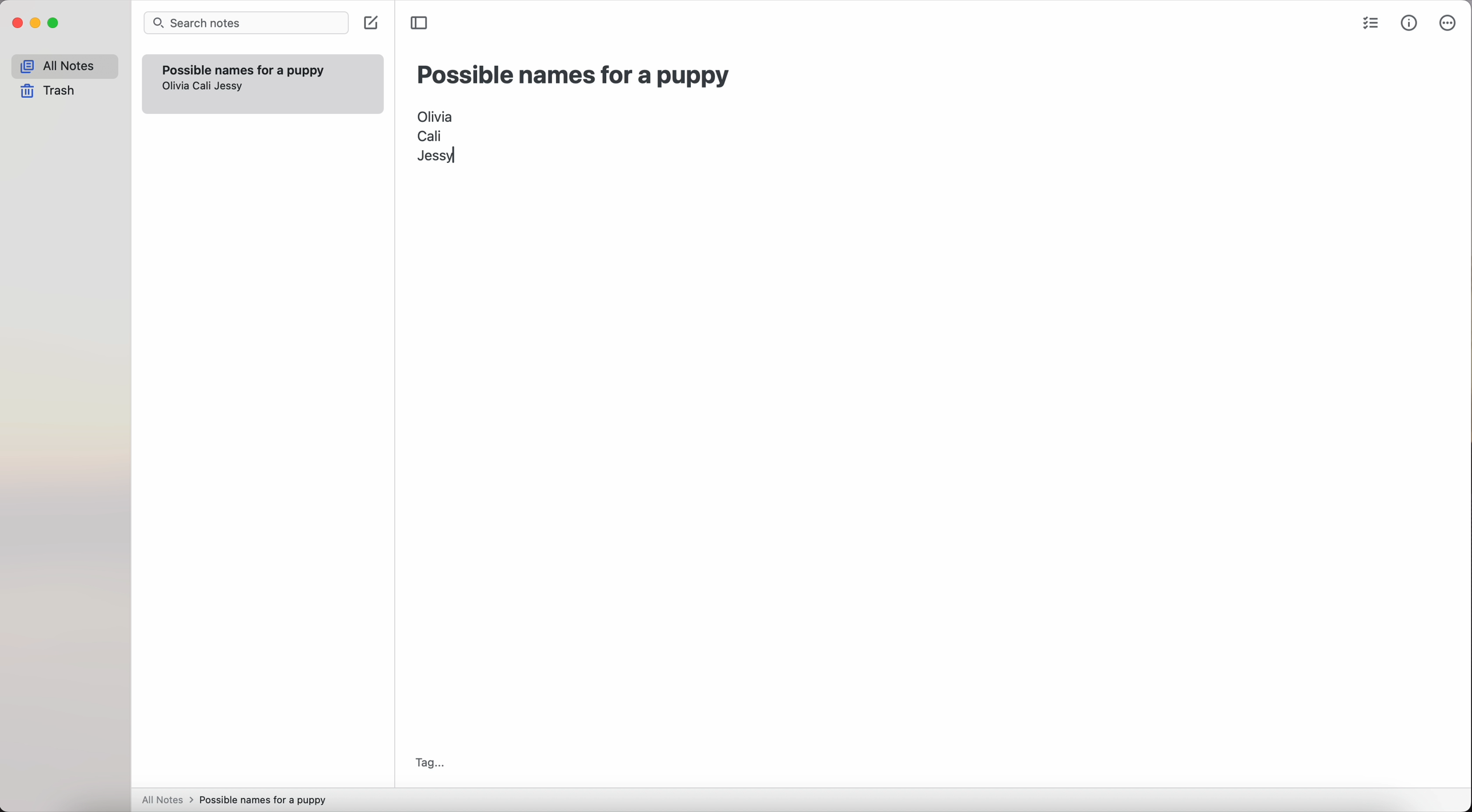 This screenshot has height=812, width=1472. What do you see at coordinates (1449, 24) in the screenshot?
I see `more options` at bounding box center [1449, 24].